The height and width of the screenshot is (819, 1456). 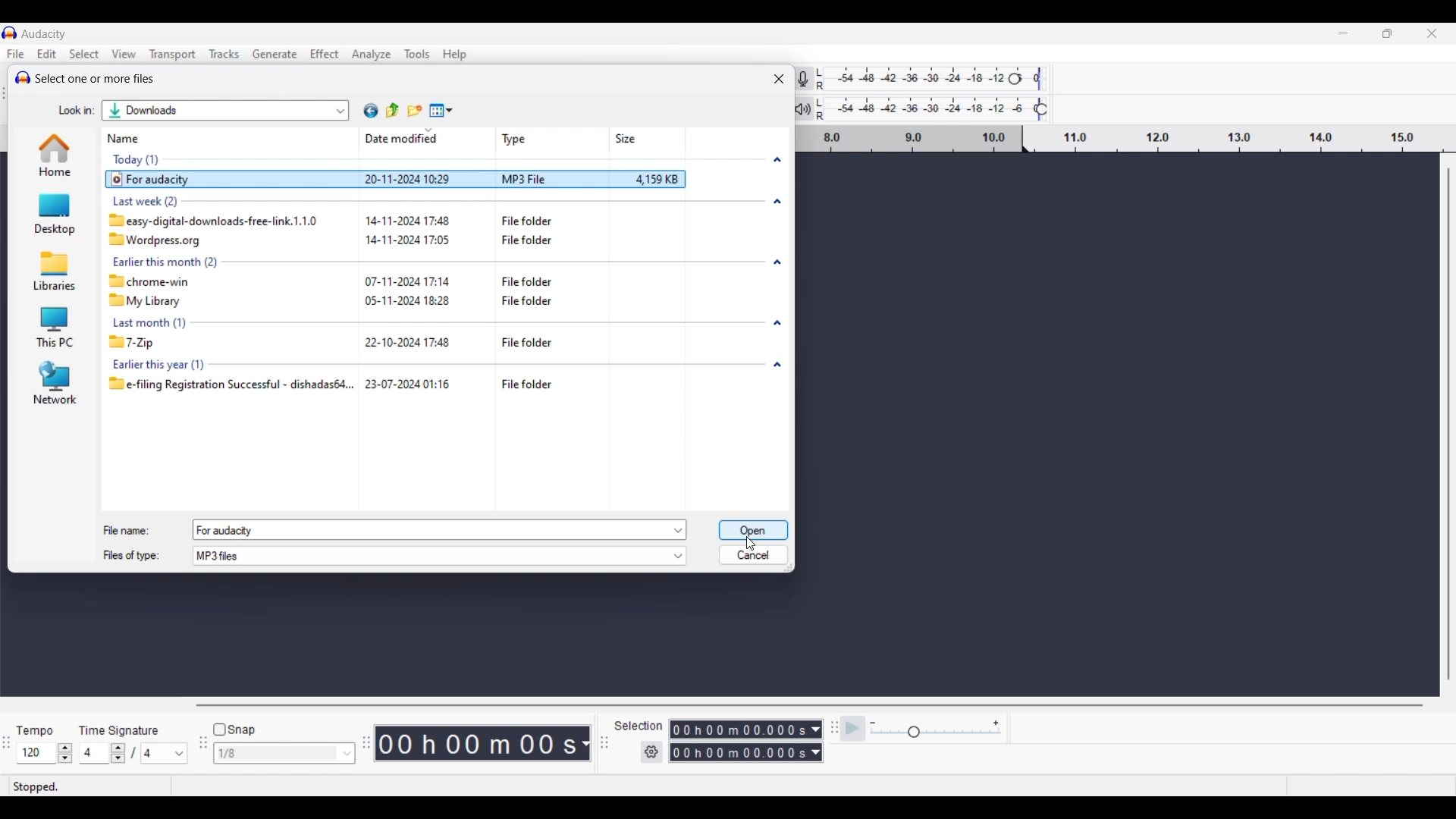 I want to click on Libraries folder, so click(x=52, y=270).